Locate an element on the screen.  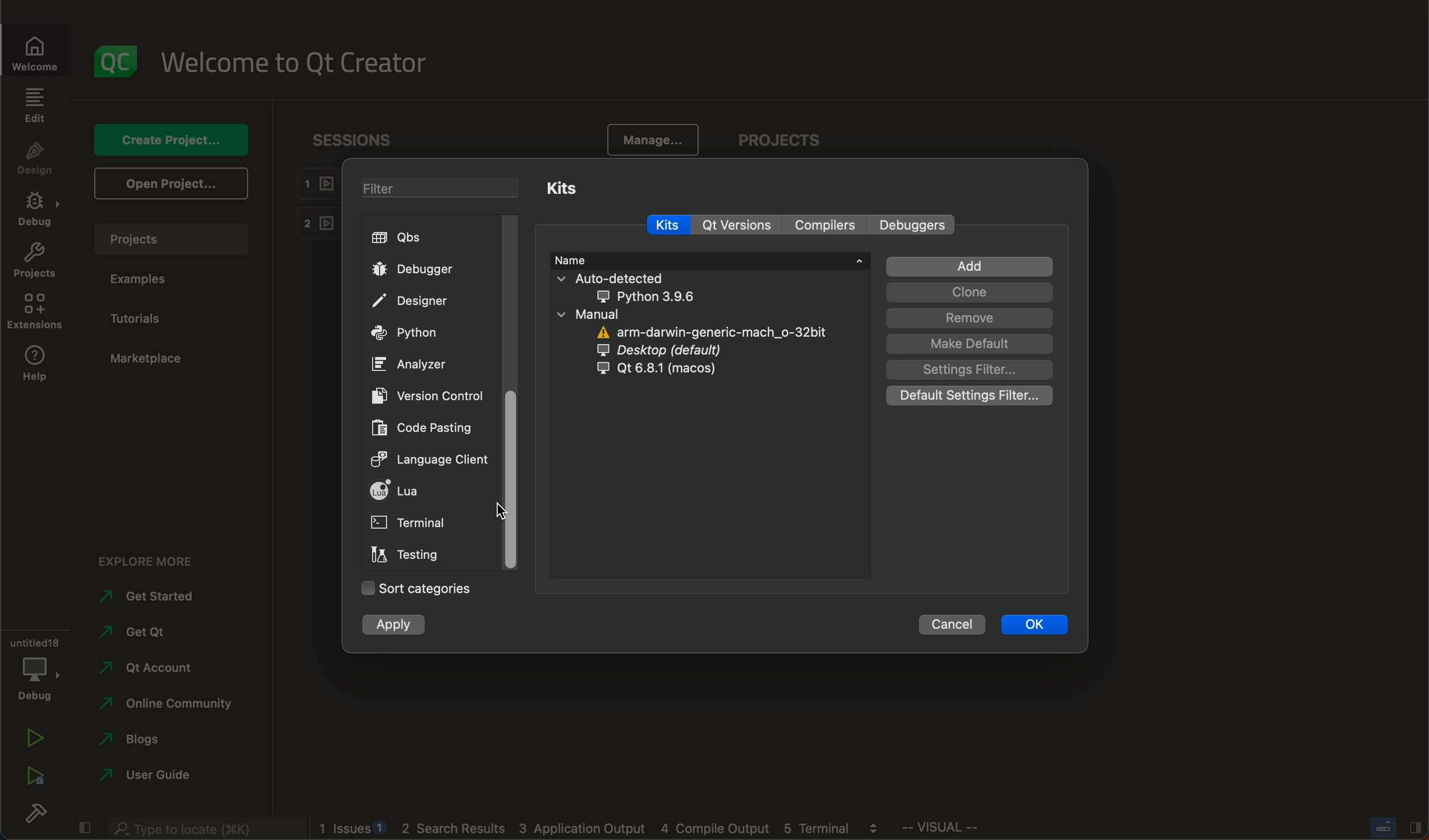
lua is located at coordinates (429, 490).